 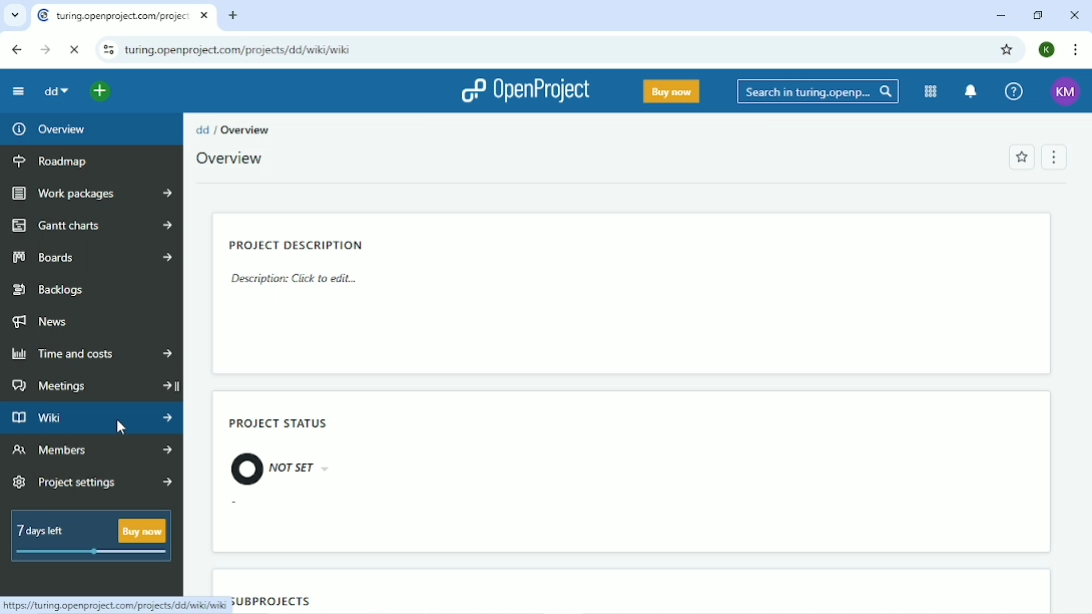 What do you see at coordinates (122, 428) in the screenshot?
I see `cursor` at bounding box center [122, 428].